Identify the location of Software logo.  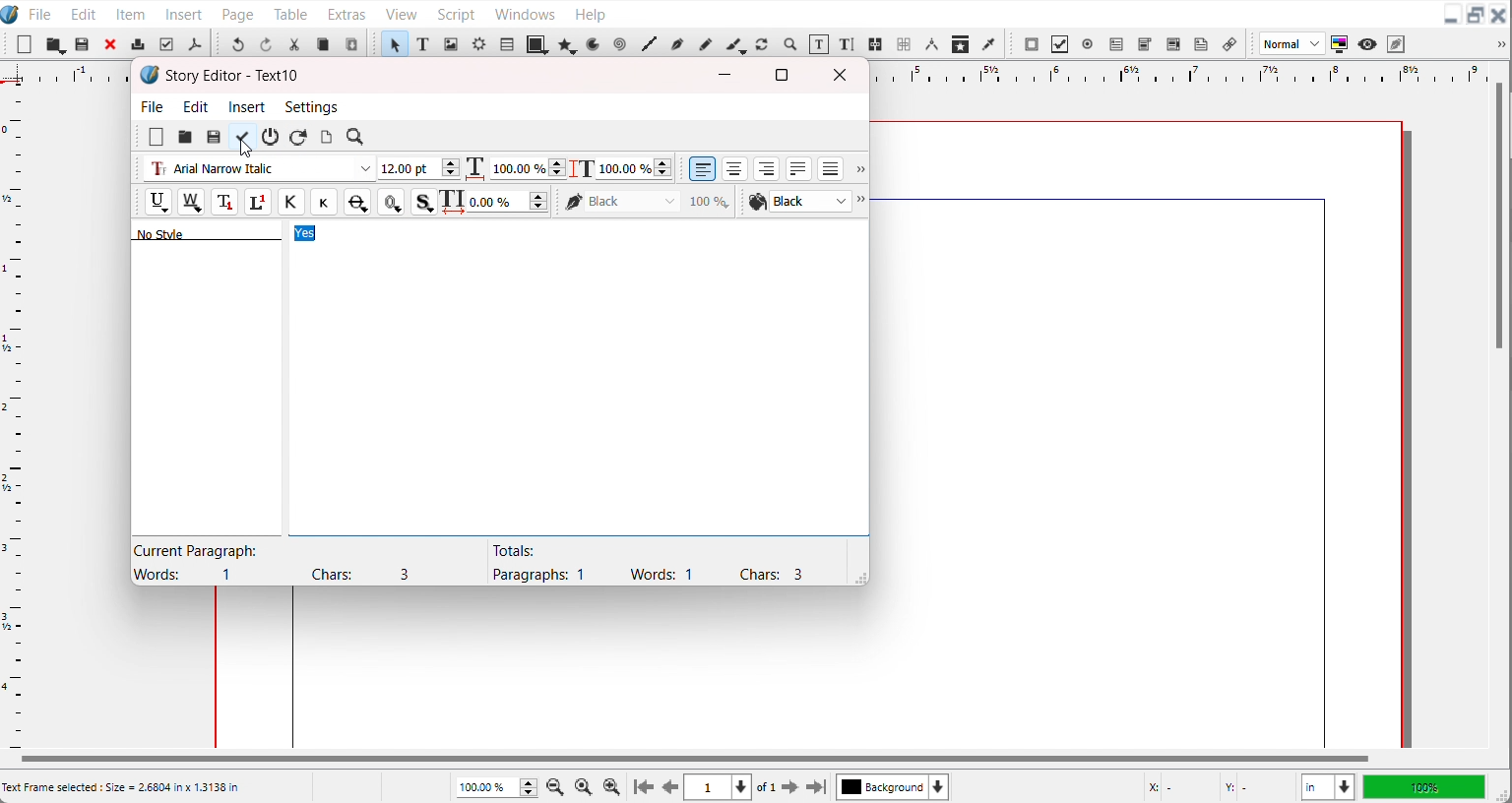
(150, 75).